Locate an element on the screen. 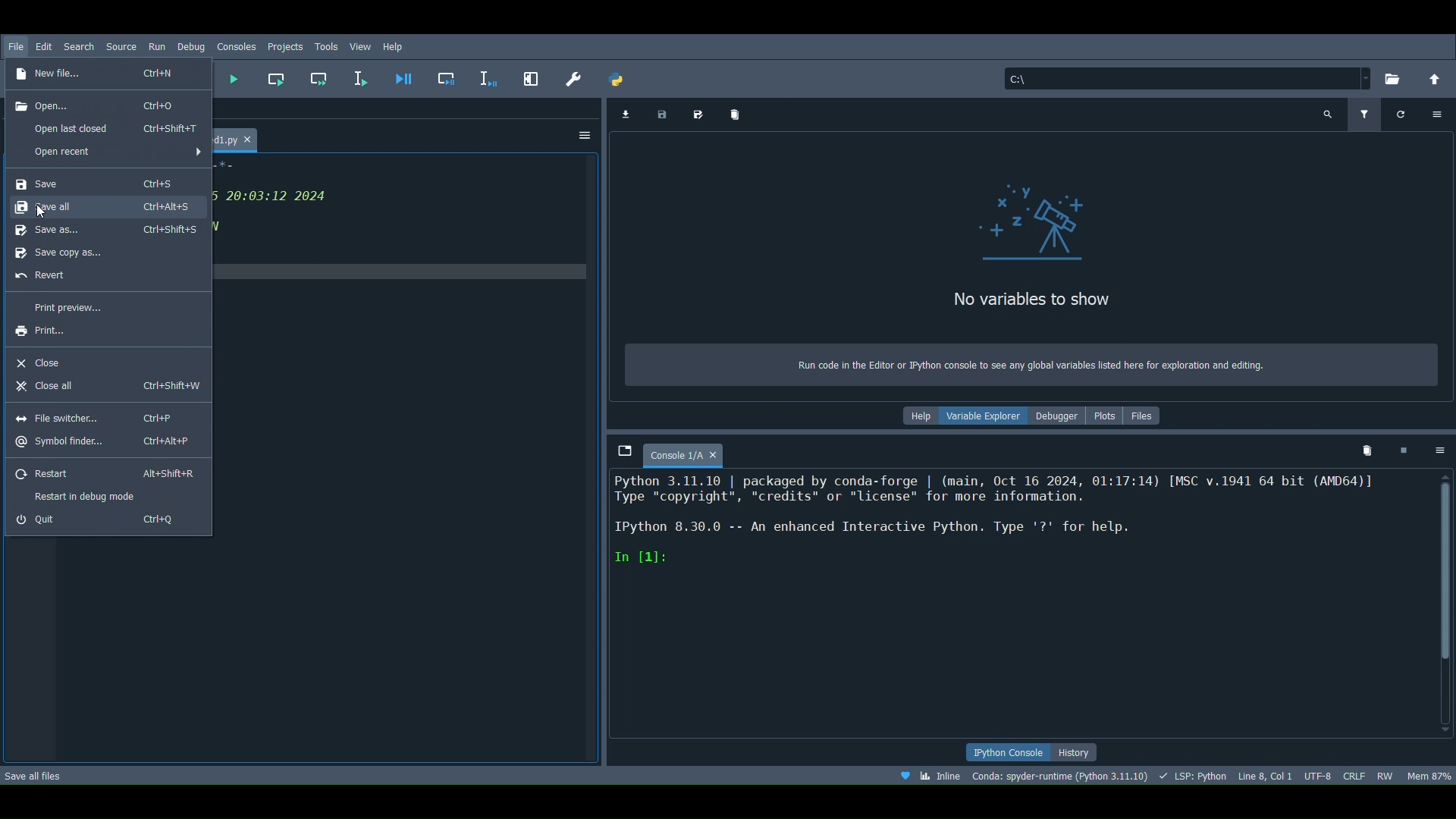  Open last closed is located at coordinates (117, 130).